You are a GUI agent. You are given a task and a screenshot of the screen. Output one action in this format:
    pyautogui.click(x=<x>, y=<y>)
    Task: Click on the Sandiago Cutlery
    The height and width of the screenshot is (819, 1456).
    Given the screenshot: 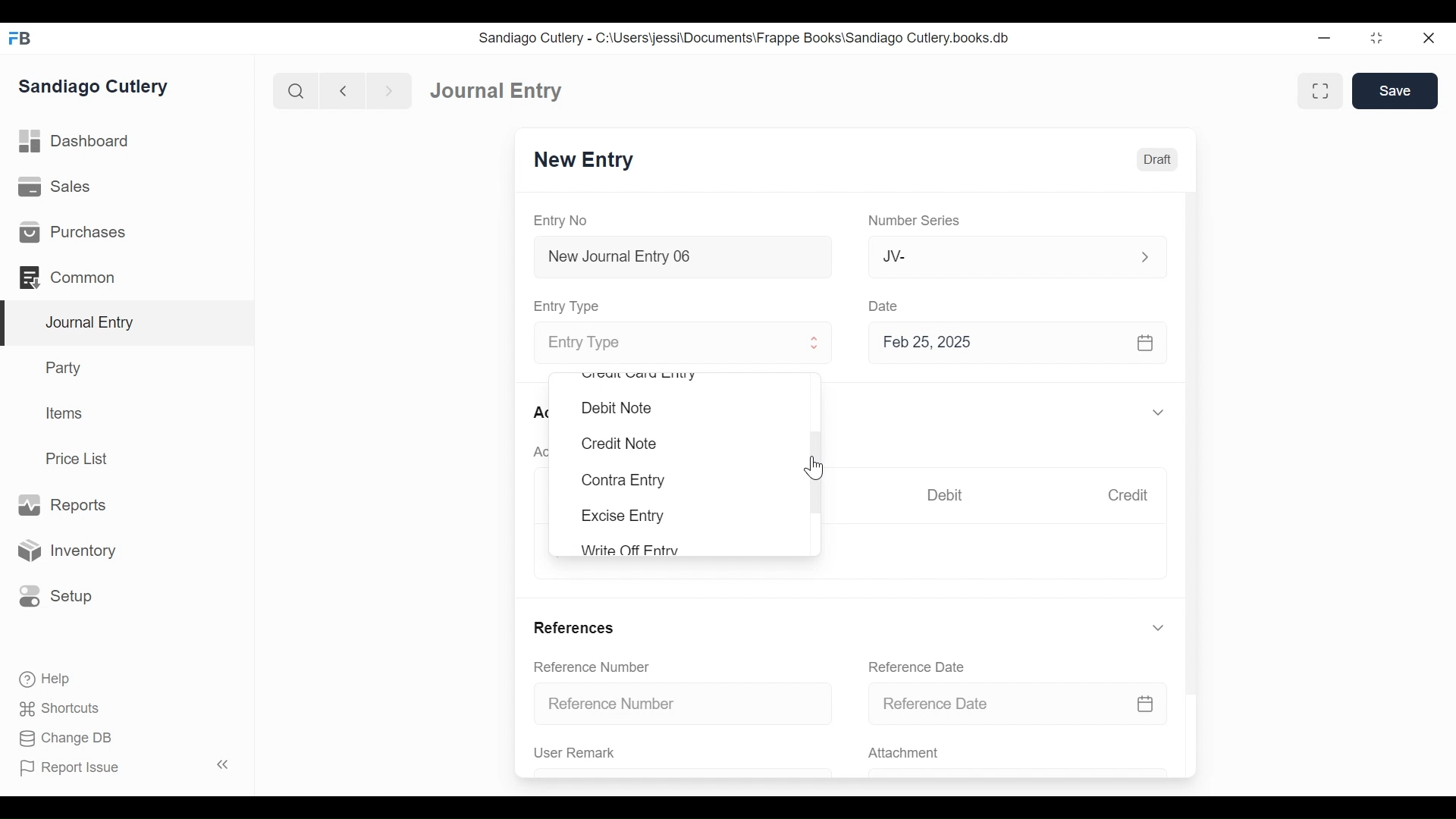 What is the action you would take?
    pyautogui.click(x=96, y=87)
    